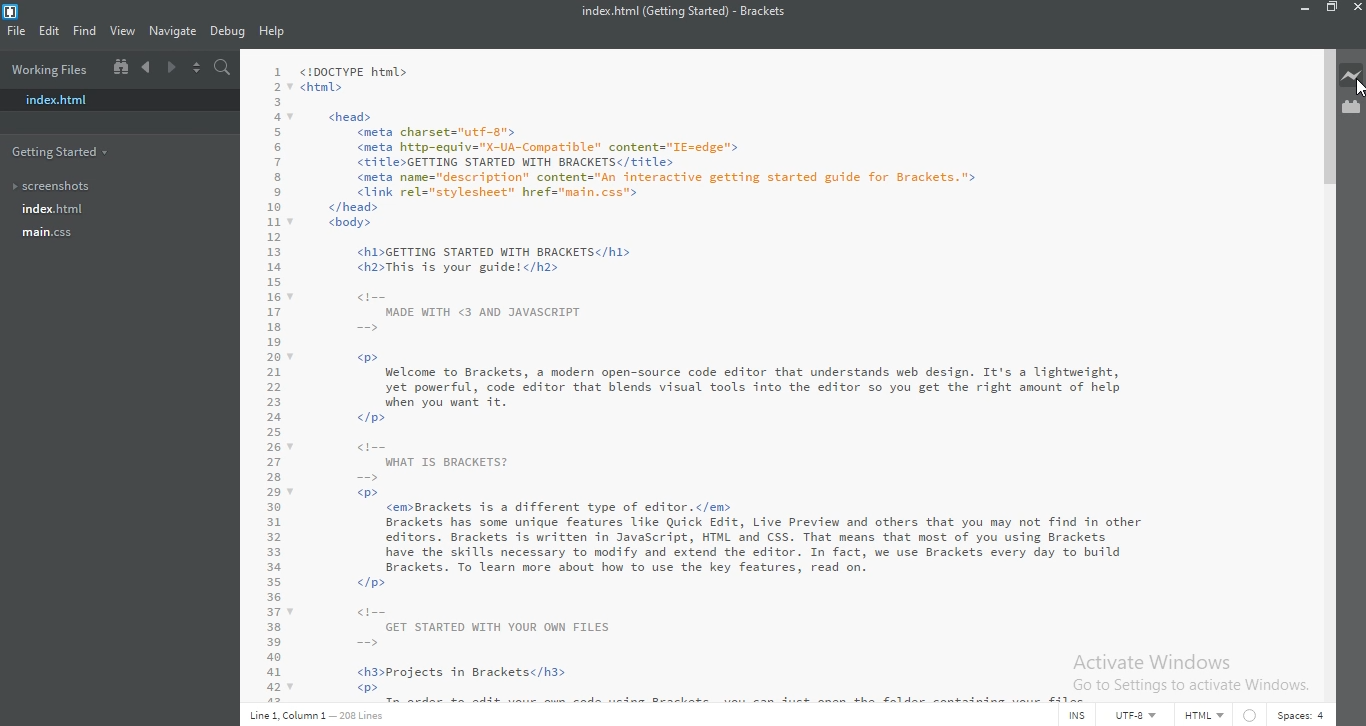 The width and height of the screenshot is (1366, 726). I want to click on Navigate, so click(174, 33).